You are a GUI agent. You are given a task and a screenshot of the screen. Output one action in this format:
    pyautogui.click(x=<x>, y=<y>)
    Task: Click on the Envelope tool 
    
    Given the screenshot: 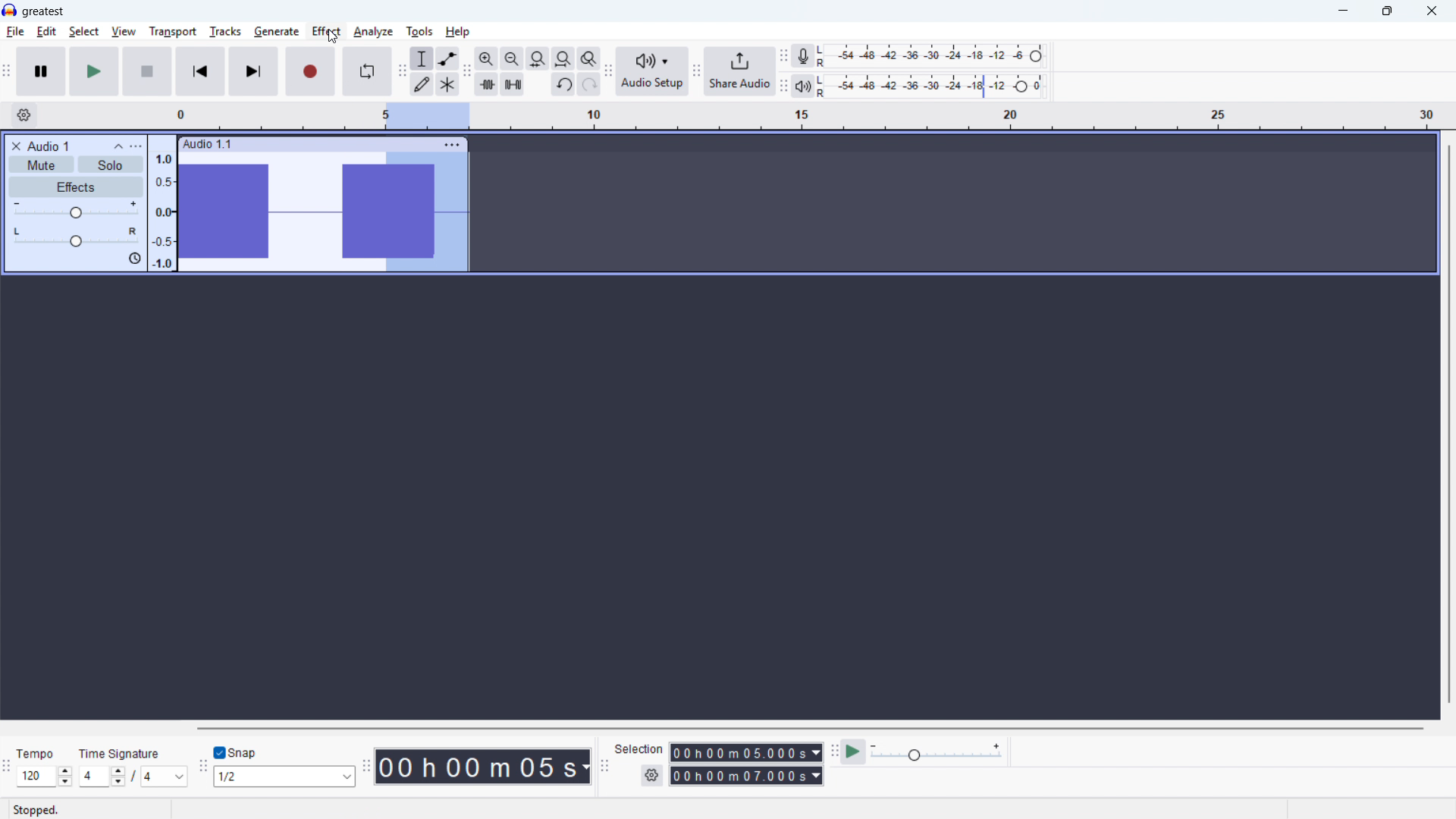 What is the action you would take?
    pyautogui.click(x=448, y=58)
    